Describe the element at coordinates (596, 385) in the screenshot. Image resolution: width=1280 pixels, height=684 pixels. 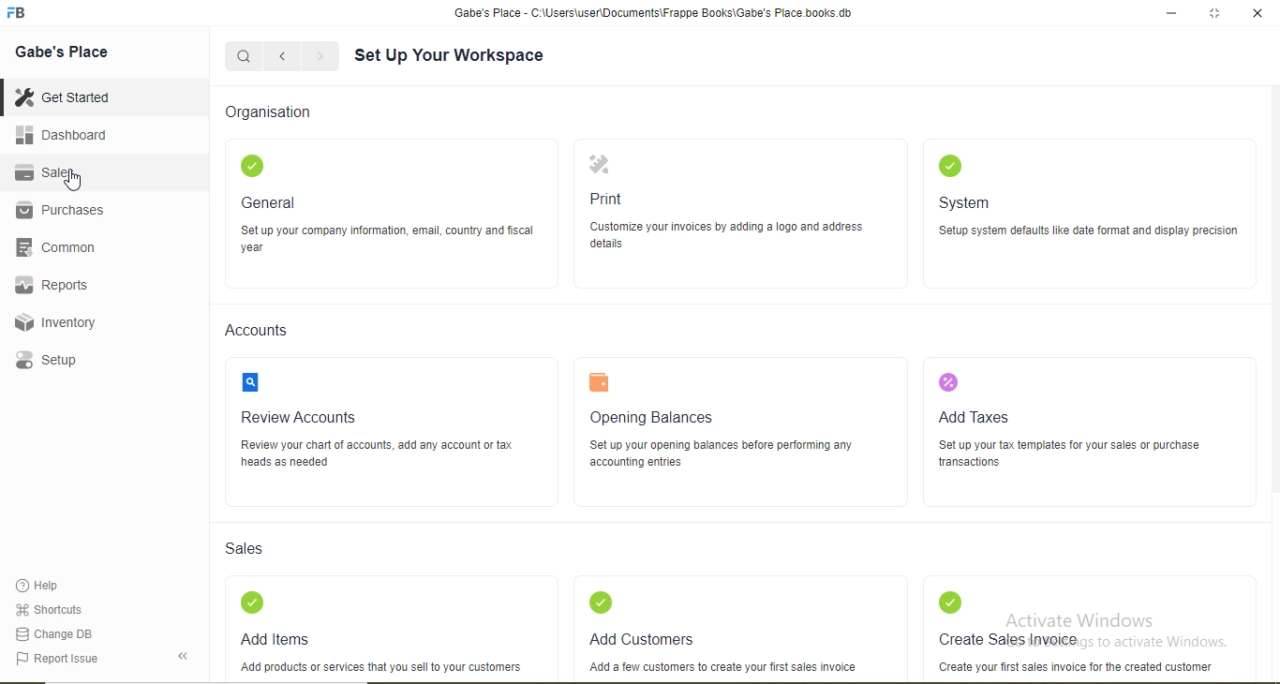
I see `text` at that location.